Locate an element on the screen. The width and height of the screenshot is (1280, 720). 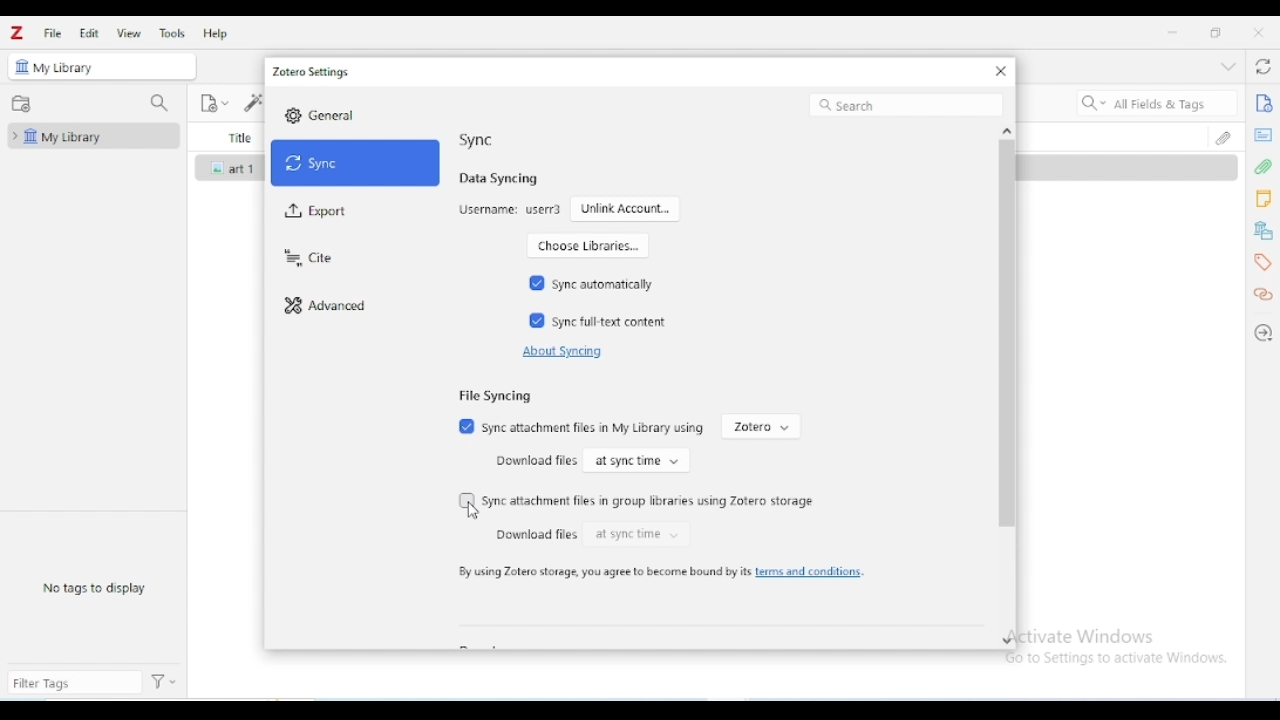
Checked box is located at coordinates (467, 425).